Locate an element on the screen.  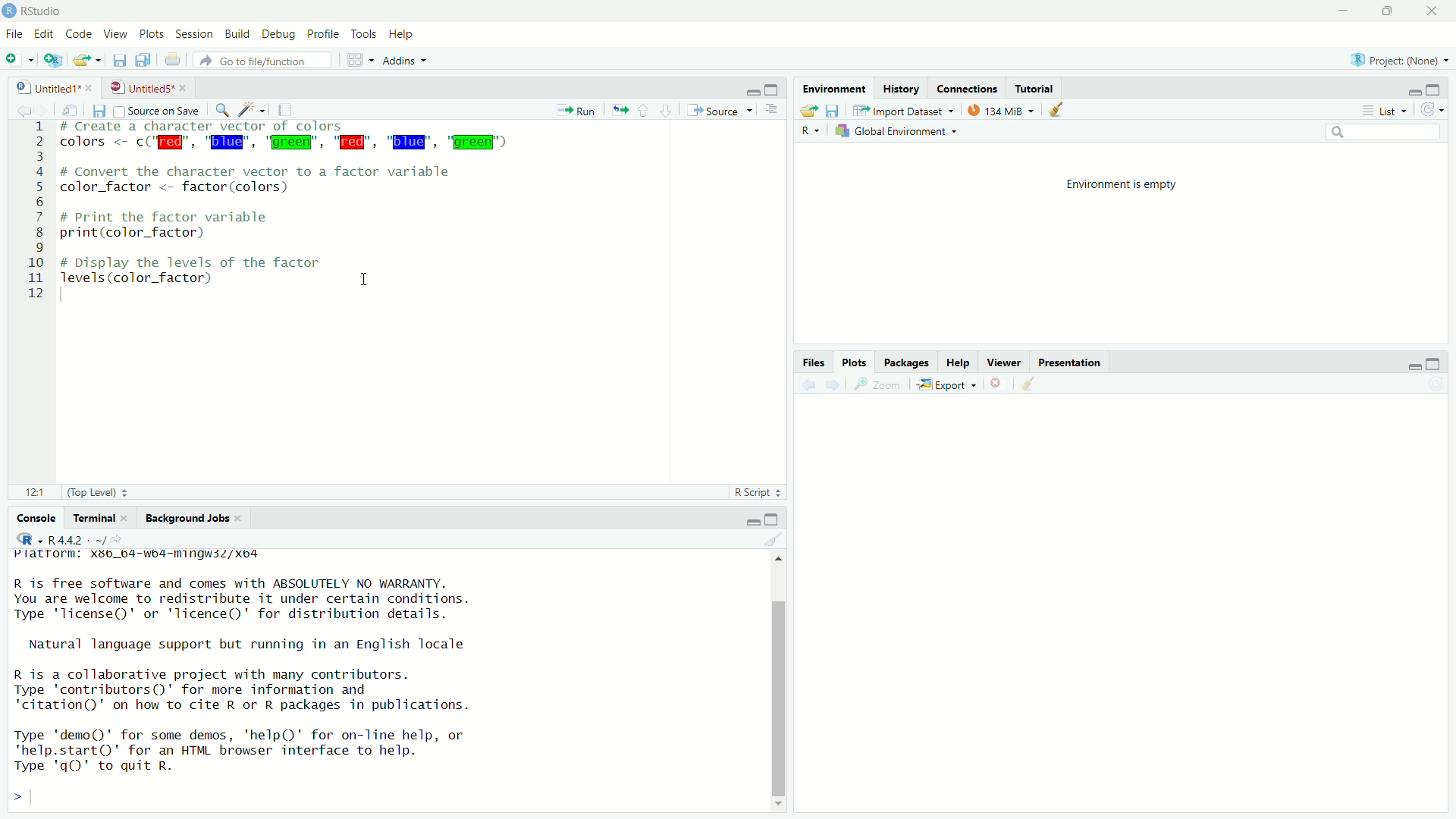
workspace panes is located at coordinates (359, 60).